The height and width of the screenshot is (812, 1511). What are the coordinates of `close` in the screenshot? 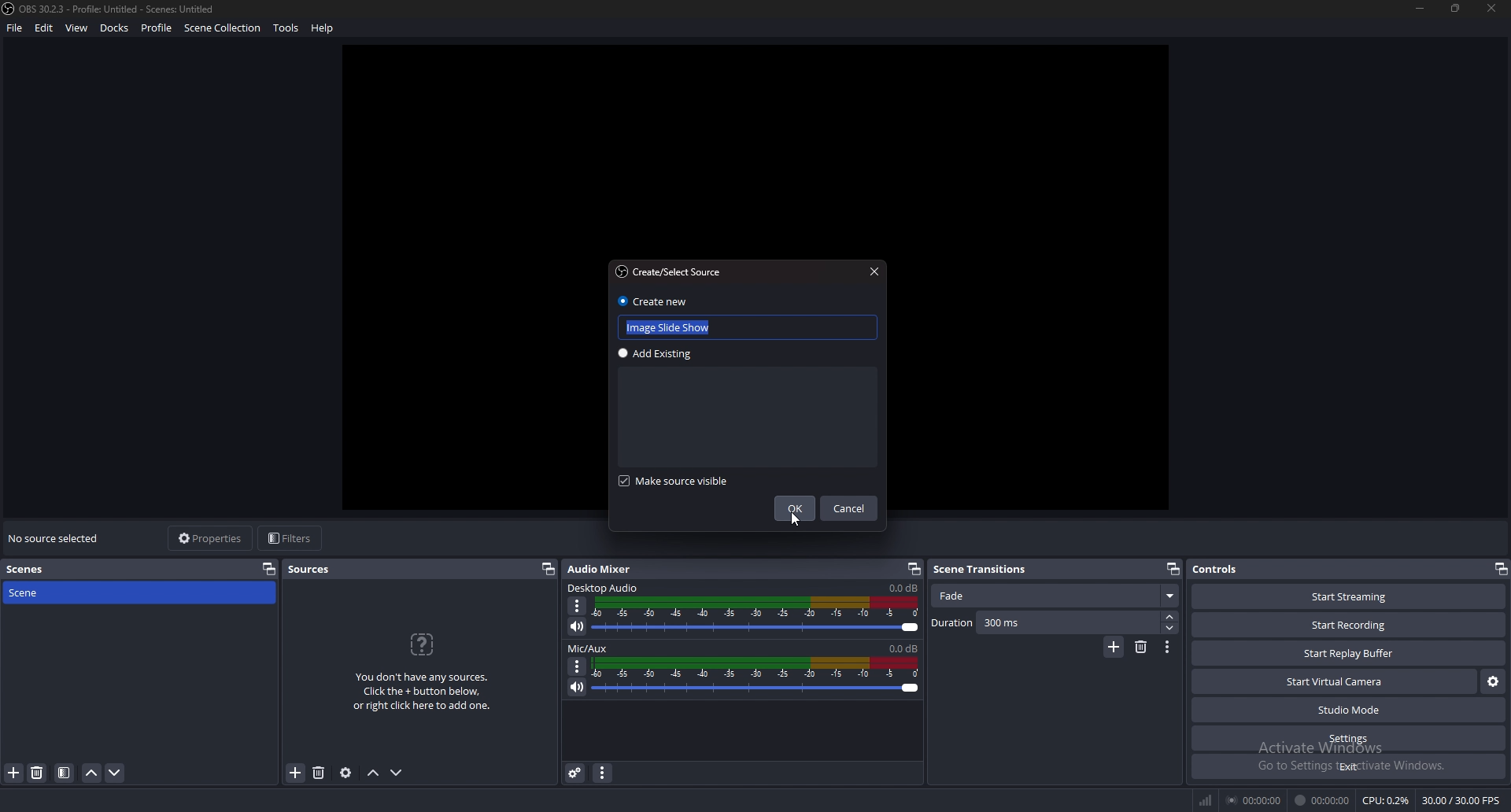 It's located at (874, 273).